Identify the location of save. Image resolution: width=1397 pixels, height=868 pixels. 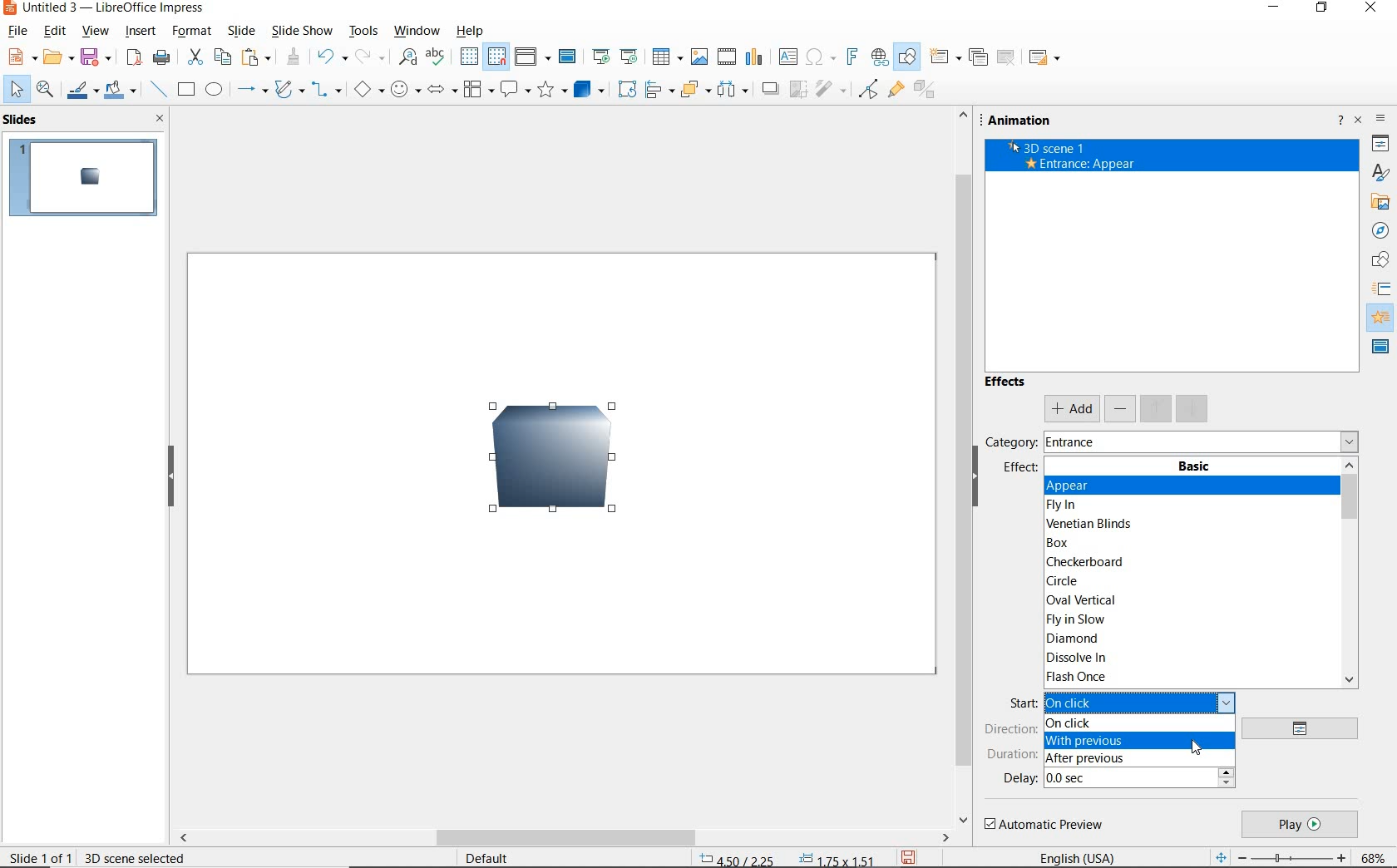
(908, 856).